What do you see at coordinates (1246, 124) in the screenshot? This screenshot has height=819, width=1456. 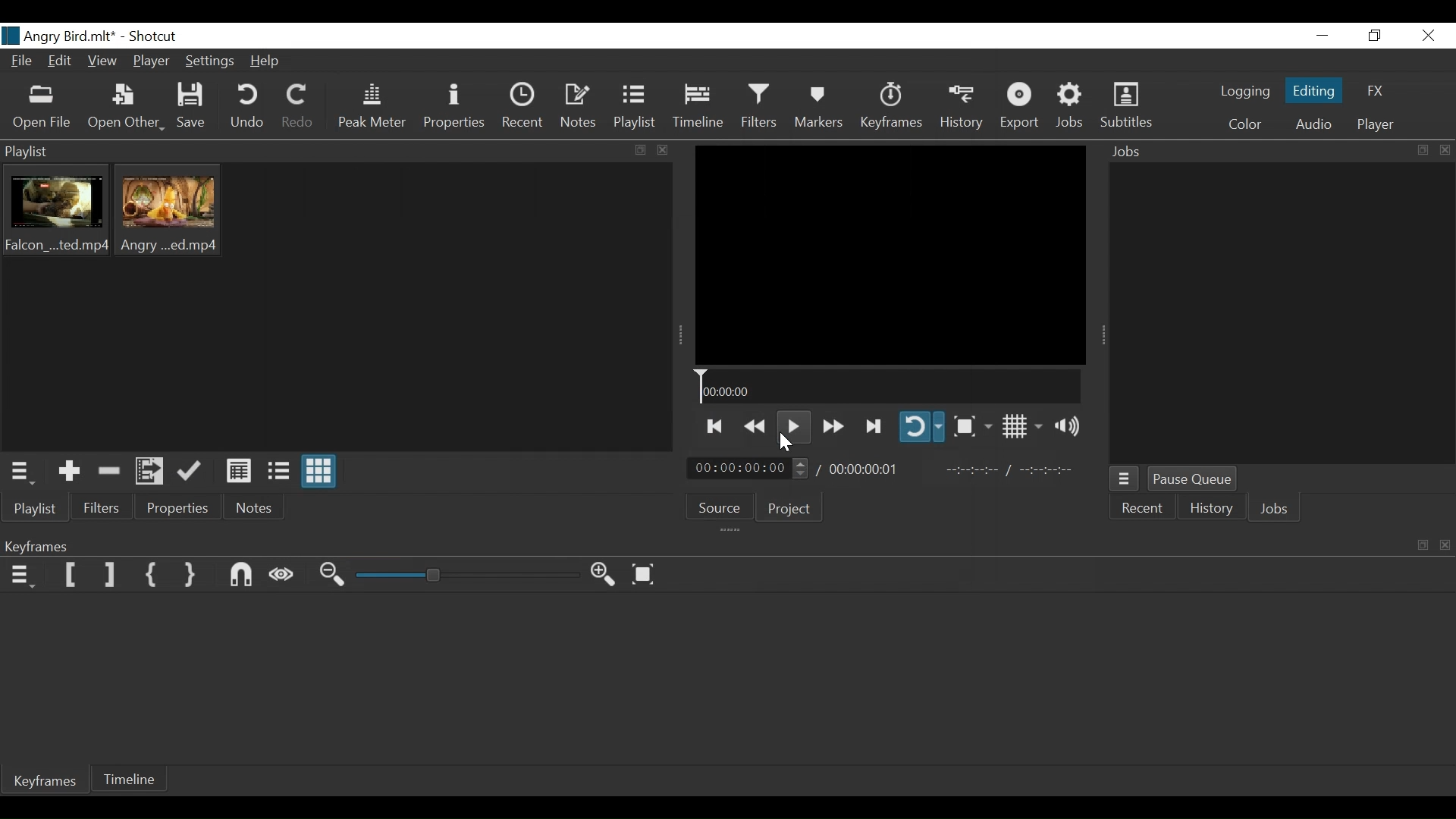 I see `Color` at bounding box center [1246, 124].